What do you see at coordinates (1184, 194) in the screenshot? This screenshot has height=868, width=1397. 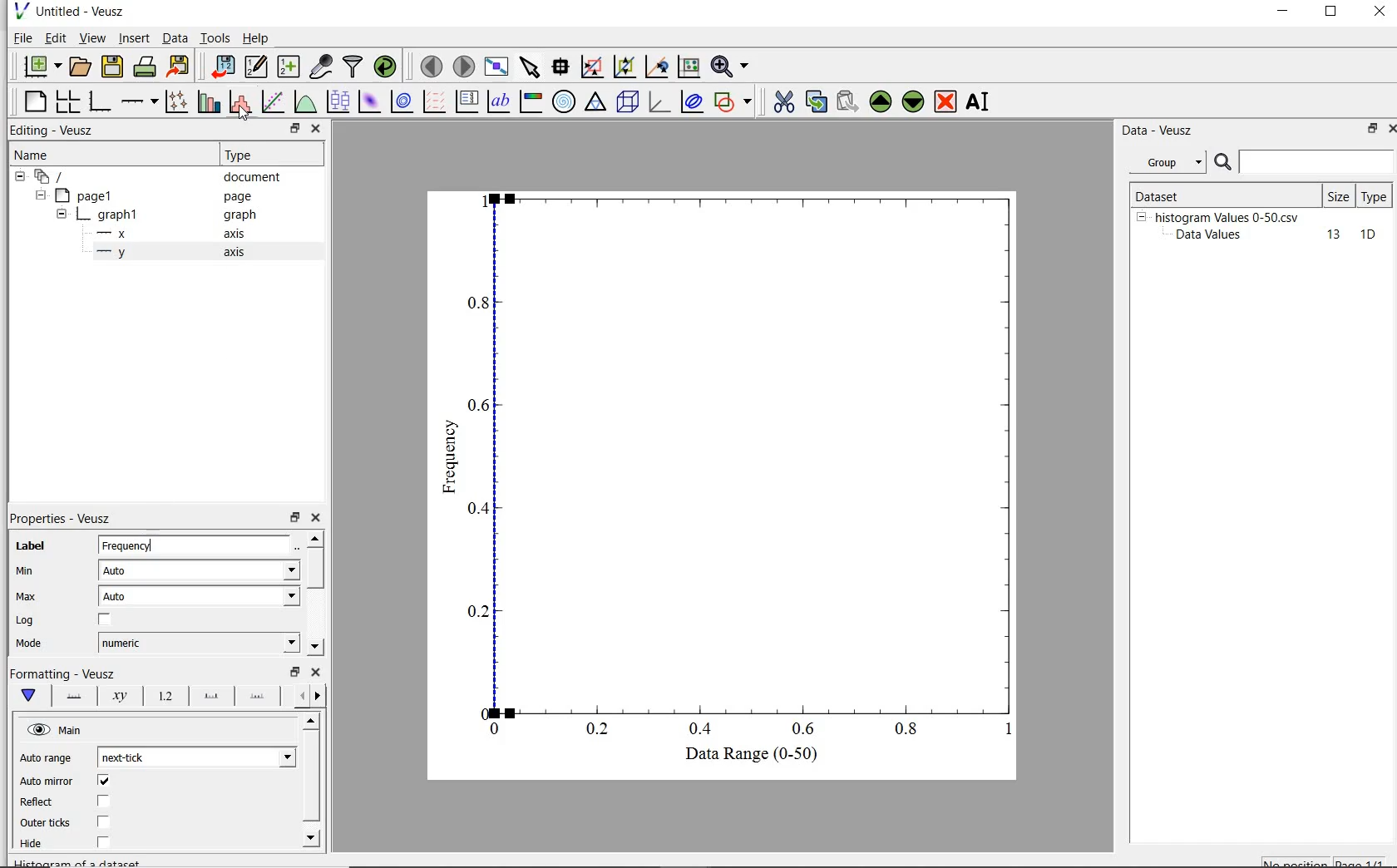 I see `Dataset` at bounding box center [1184, 194].